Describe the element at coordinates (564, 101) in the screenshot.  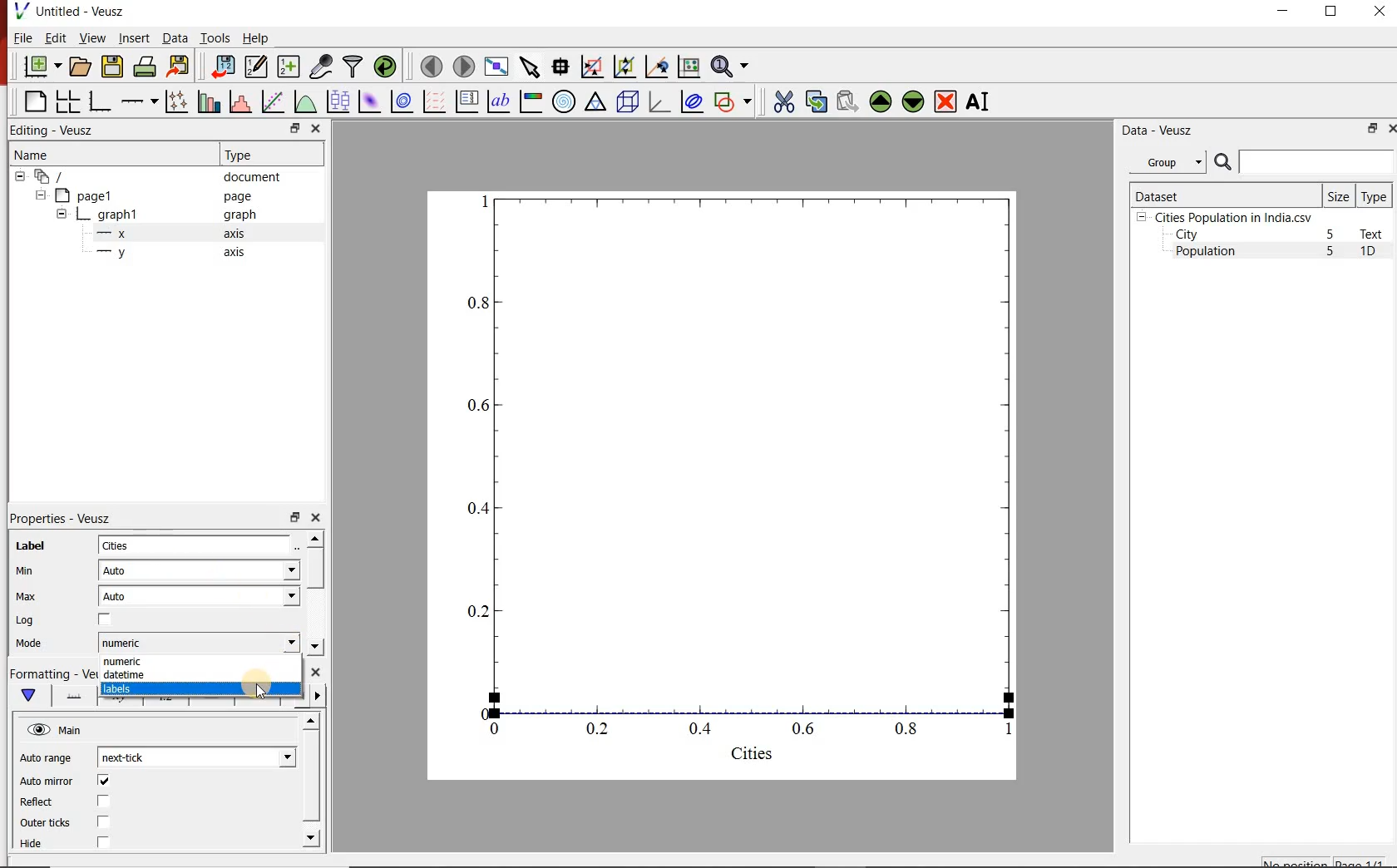
I see `polar graph` at that location.